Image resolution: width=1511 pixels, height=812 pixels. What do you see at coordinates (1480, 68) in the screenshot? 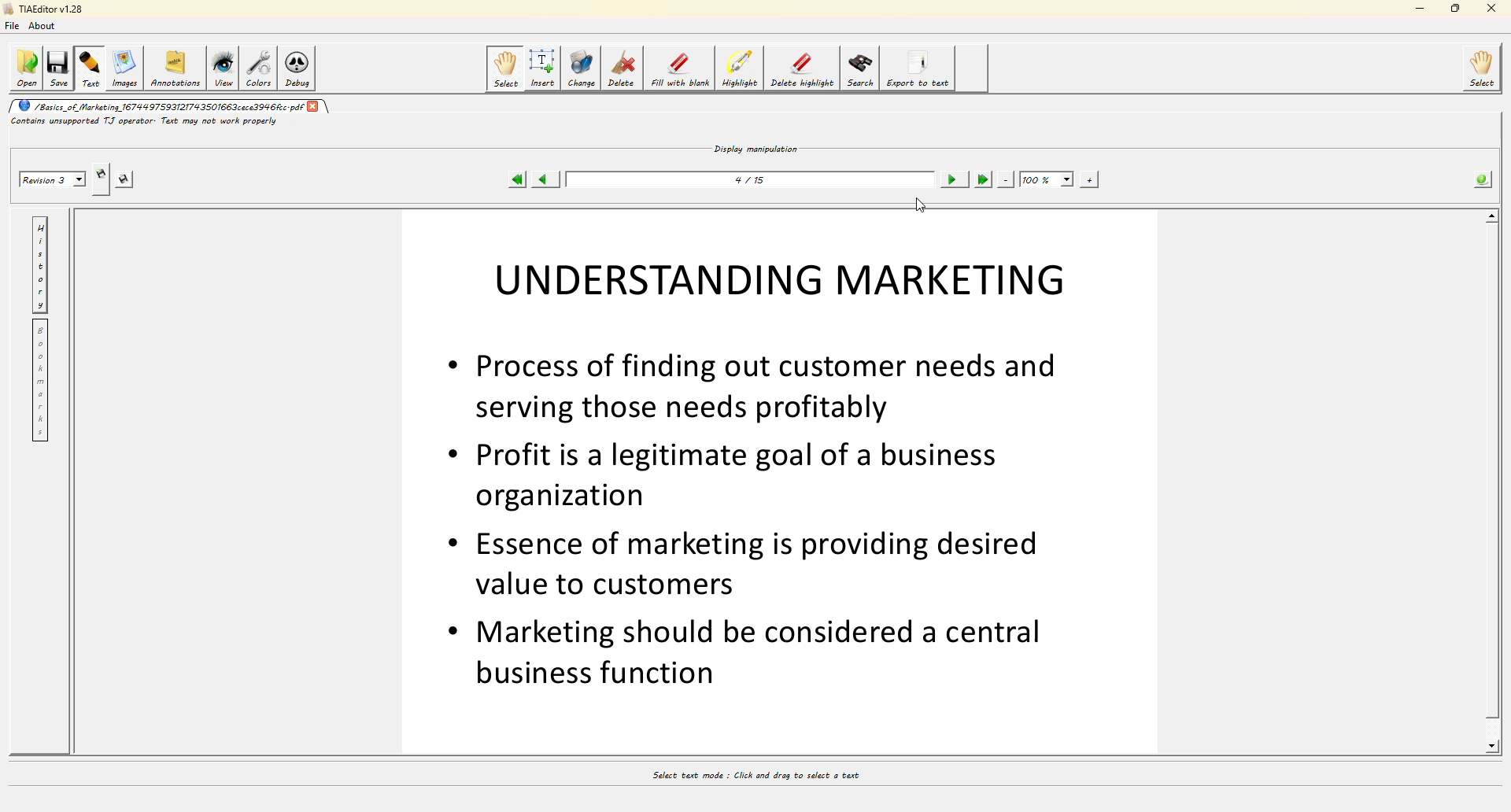
I see `select` at bounding box center [1480, 68].